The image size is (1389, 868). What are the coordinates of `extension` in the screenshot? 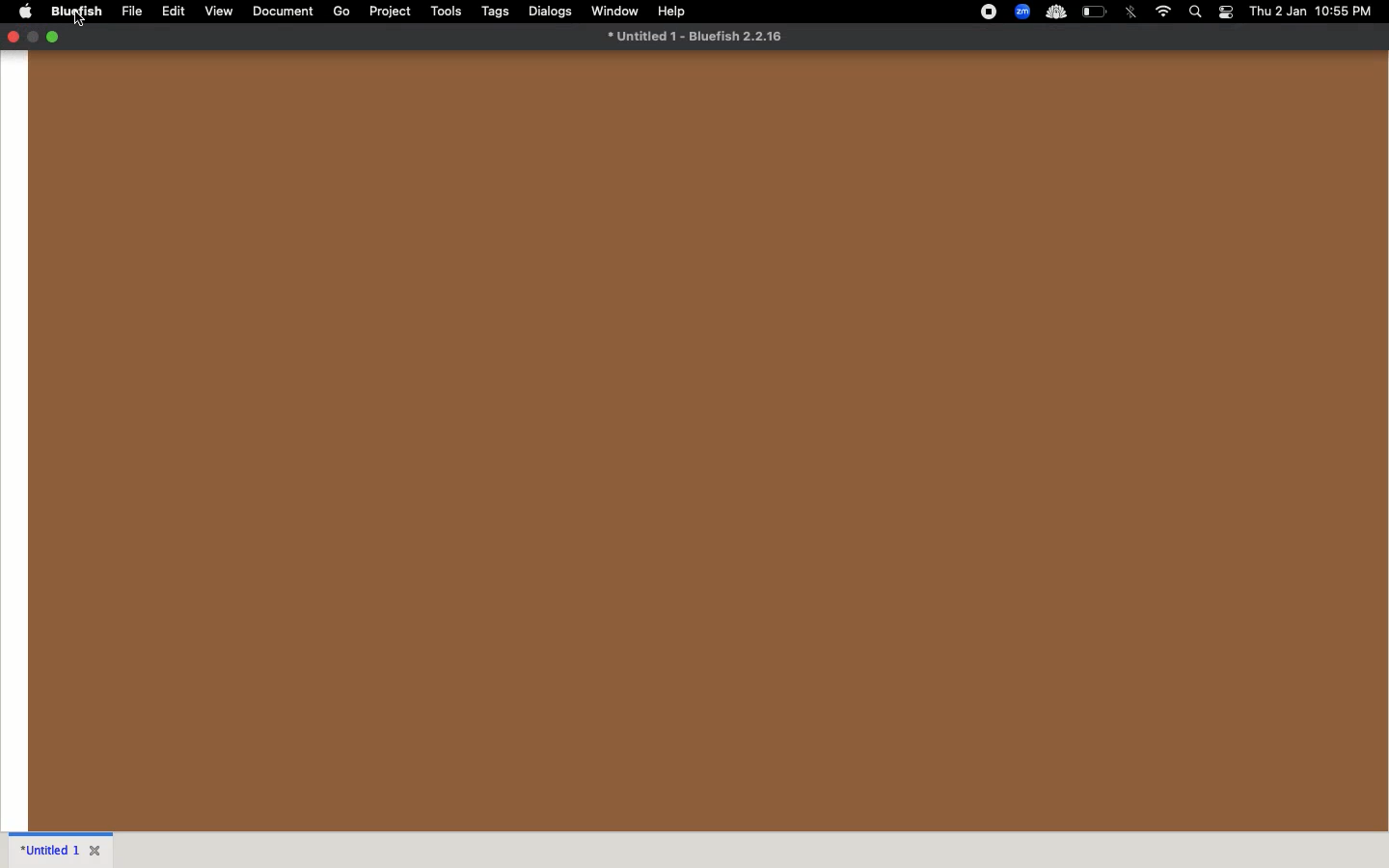 It's located at (1055, 13).